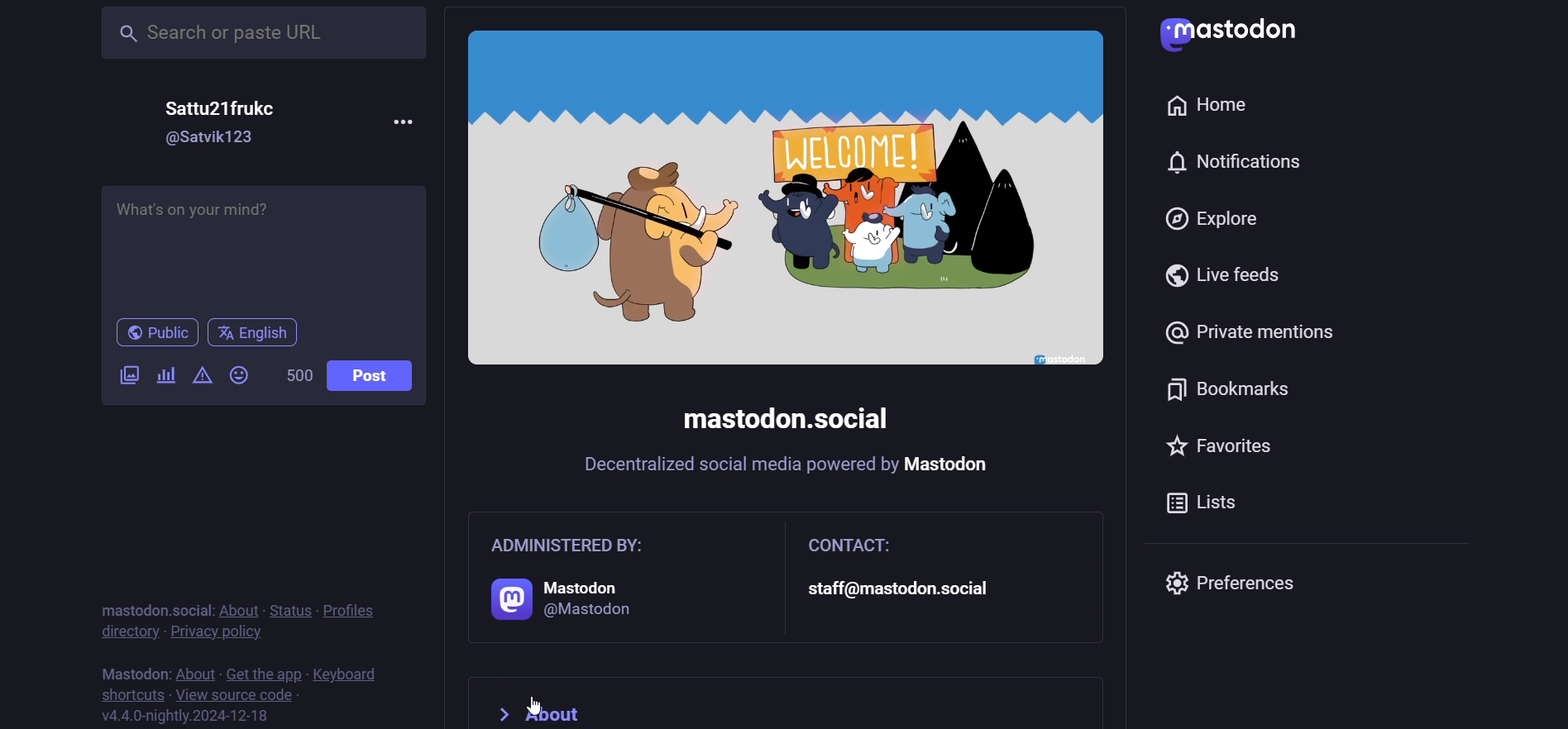 This screenshot has height=729, width=1568. Describe the element at coordinates (613, 579) in the screenshot. I see `administered by` at that location.